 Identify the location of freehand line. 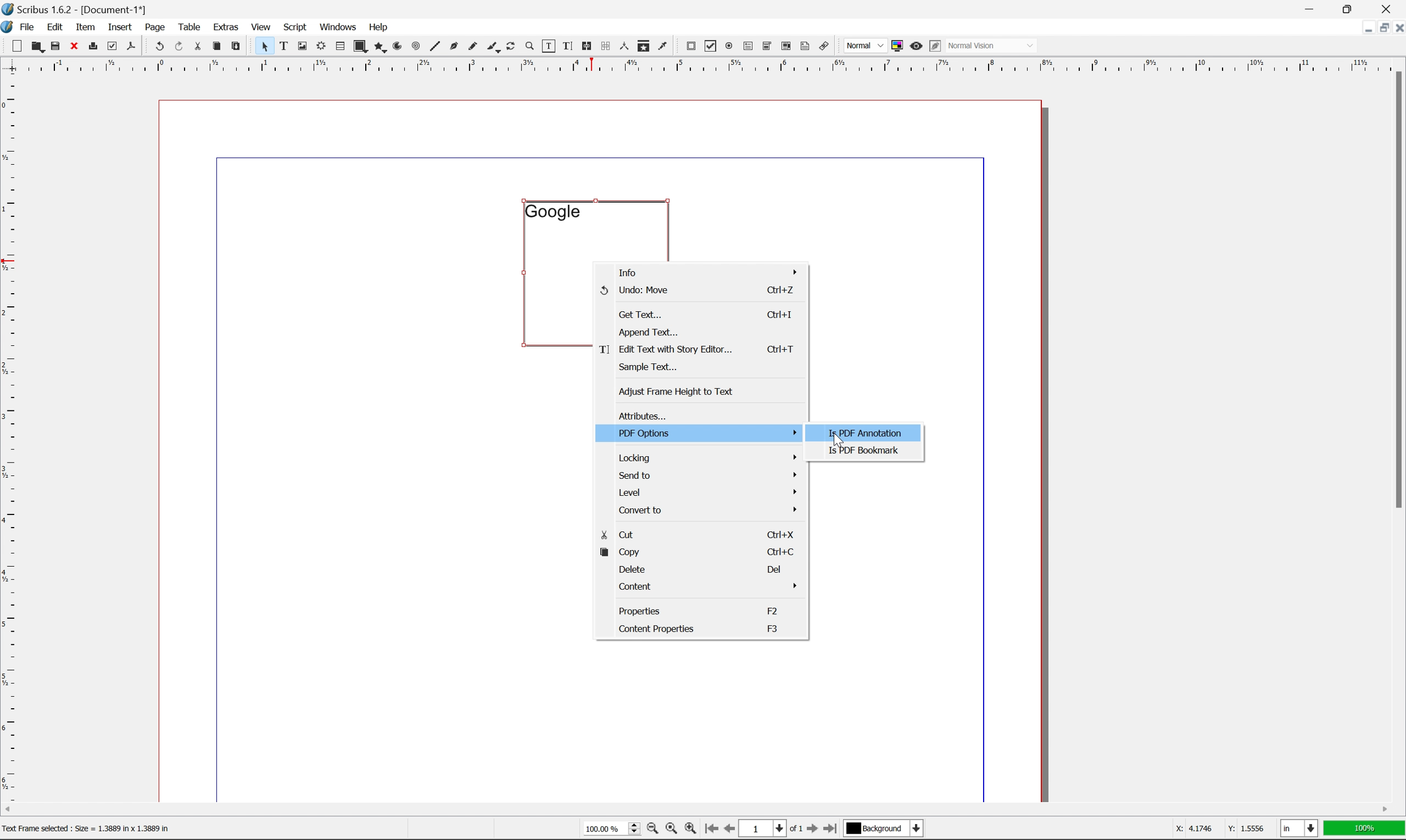
(474, 47).